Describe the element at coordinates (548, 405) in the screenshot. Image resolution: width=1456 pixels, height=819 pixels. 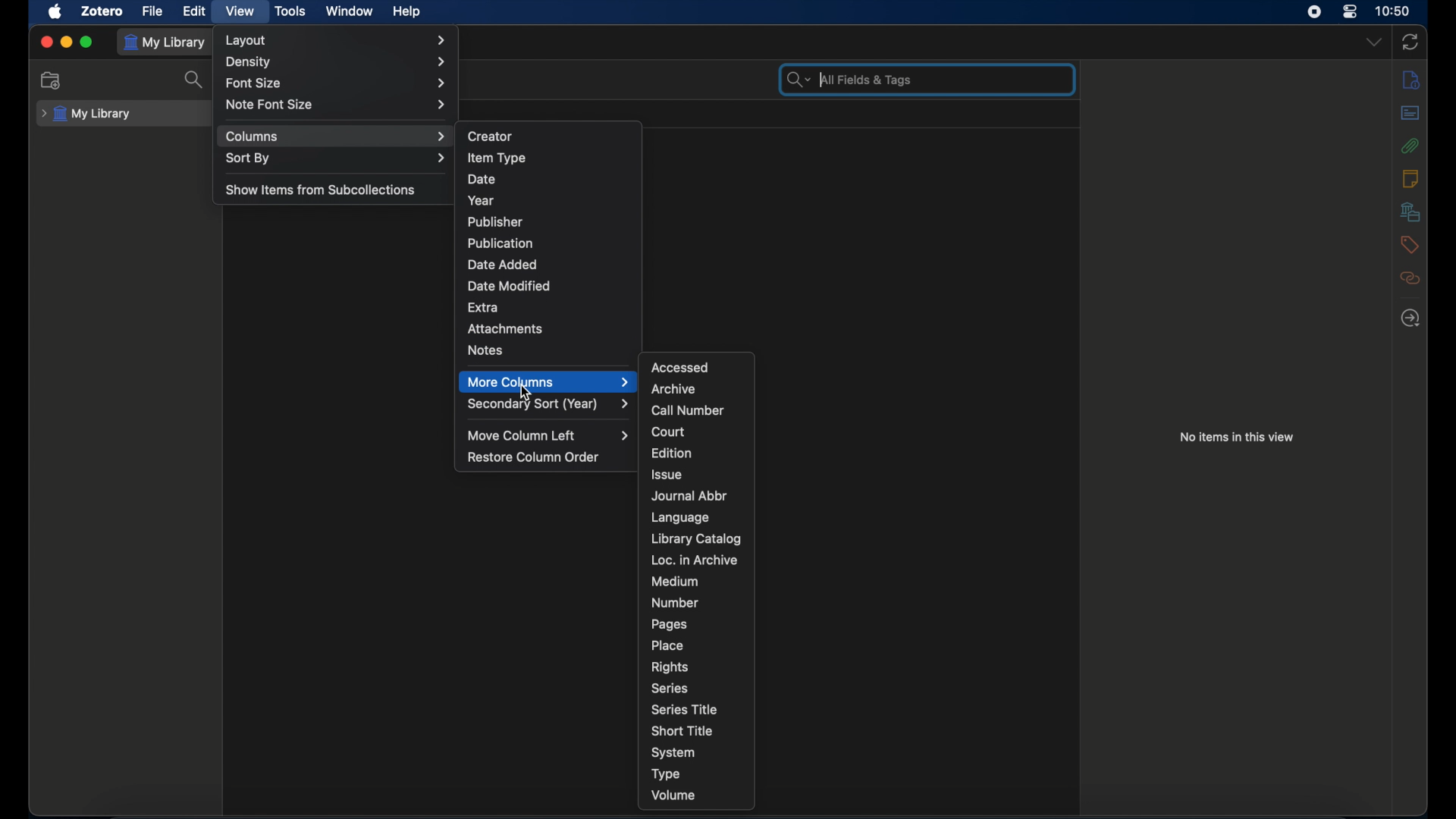
I see `secondary sort` at that location.